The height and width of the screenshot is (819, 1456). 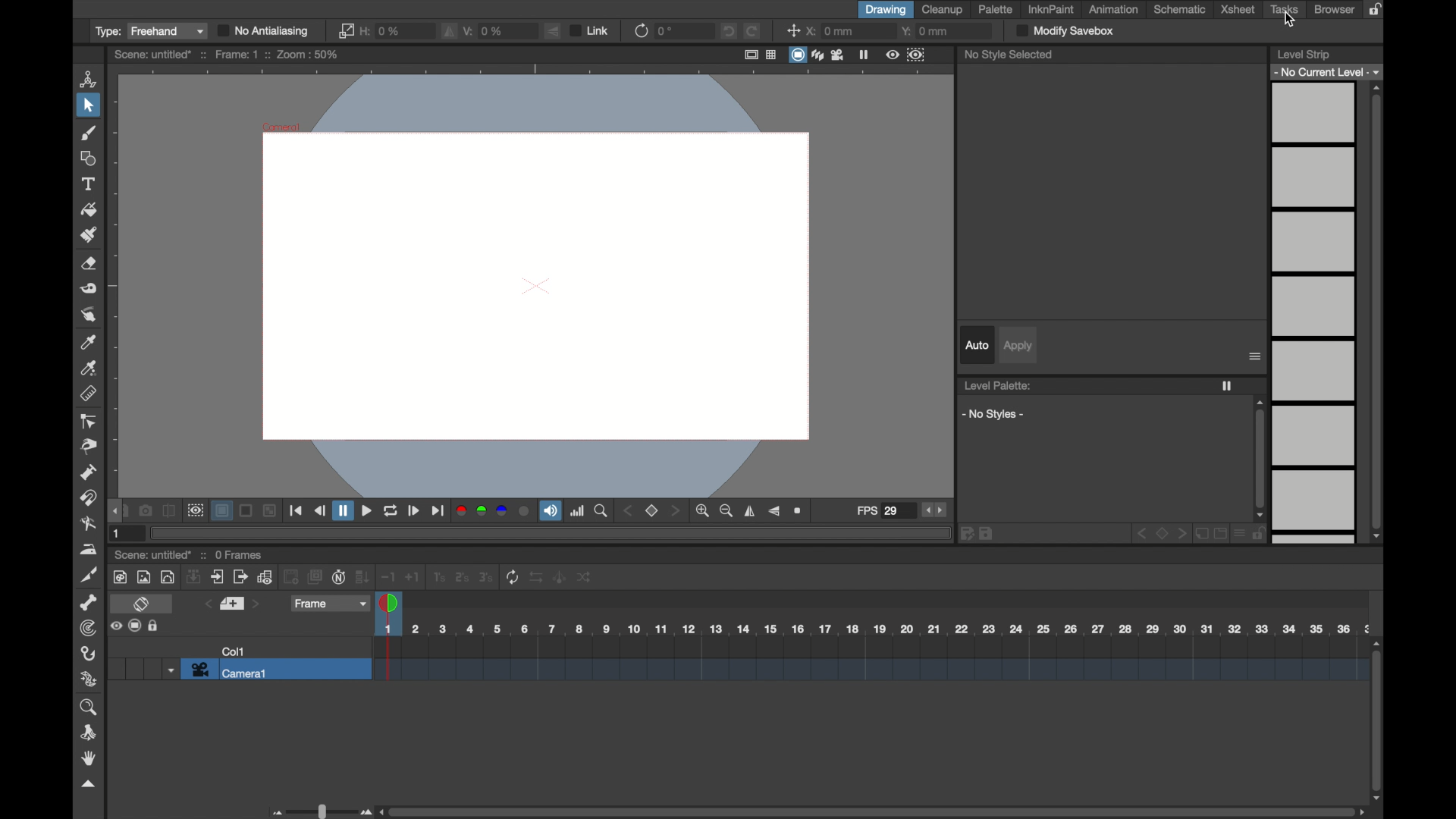 What do you see at coordinates (207, 604) in the screenshot?
I see `previous set` at bounding box center [207, 604].